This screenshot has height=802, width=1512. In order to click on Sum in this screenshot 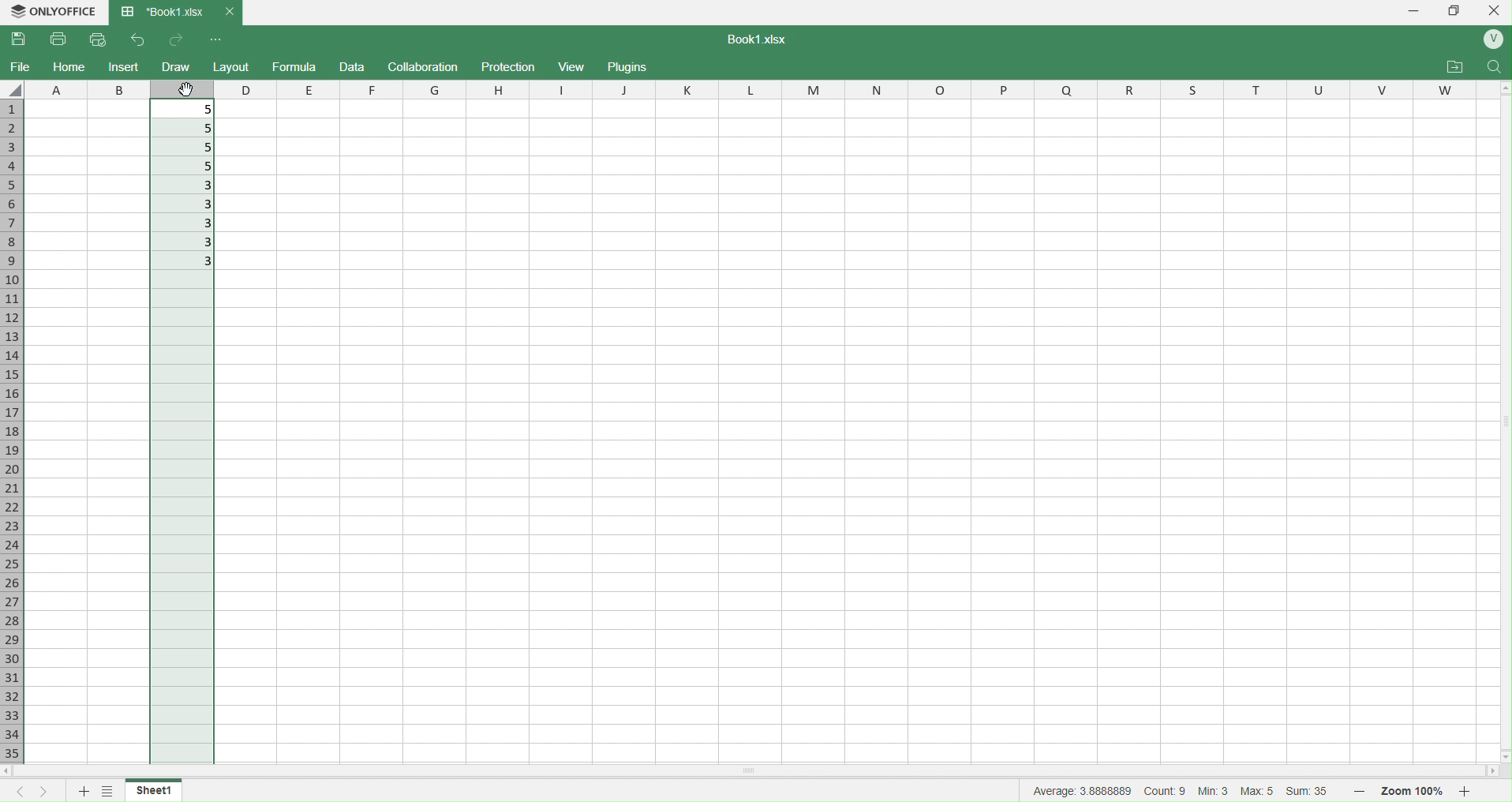, I will do `click(1312, 793)`.